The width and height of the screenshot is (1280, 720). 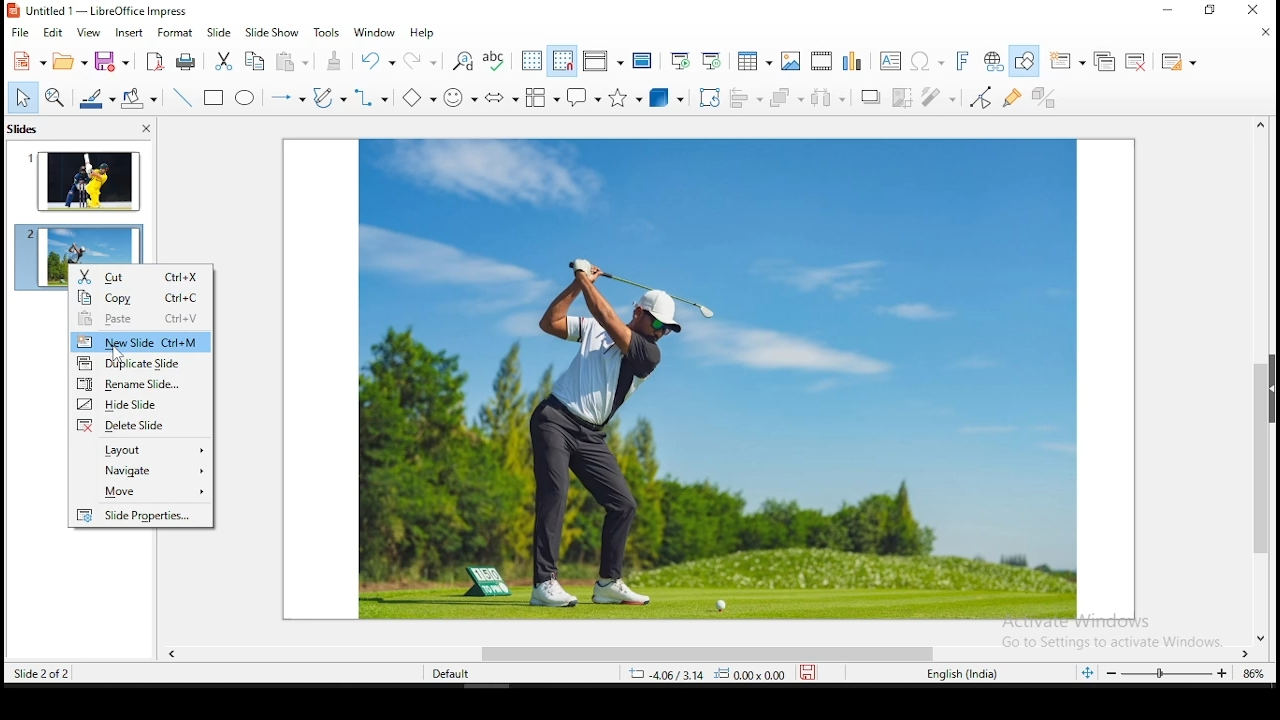 I want to click on snap to grid, so click(x=563, y=60).